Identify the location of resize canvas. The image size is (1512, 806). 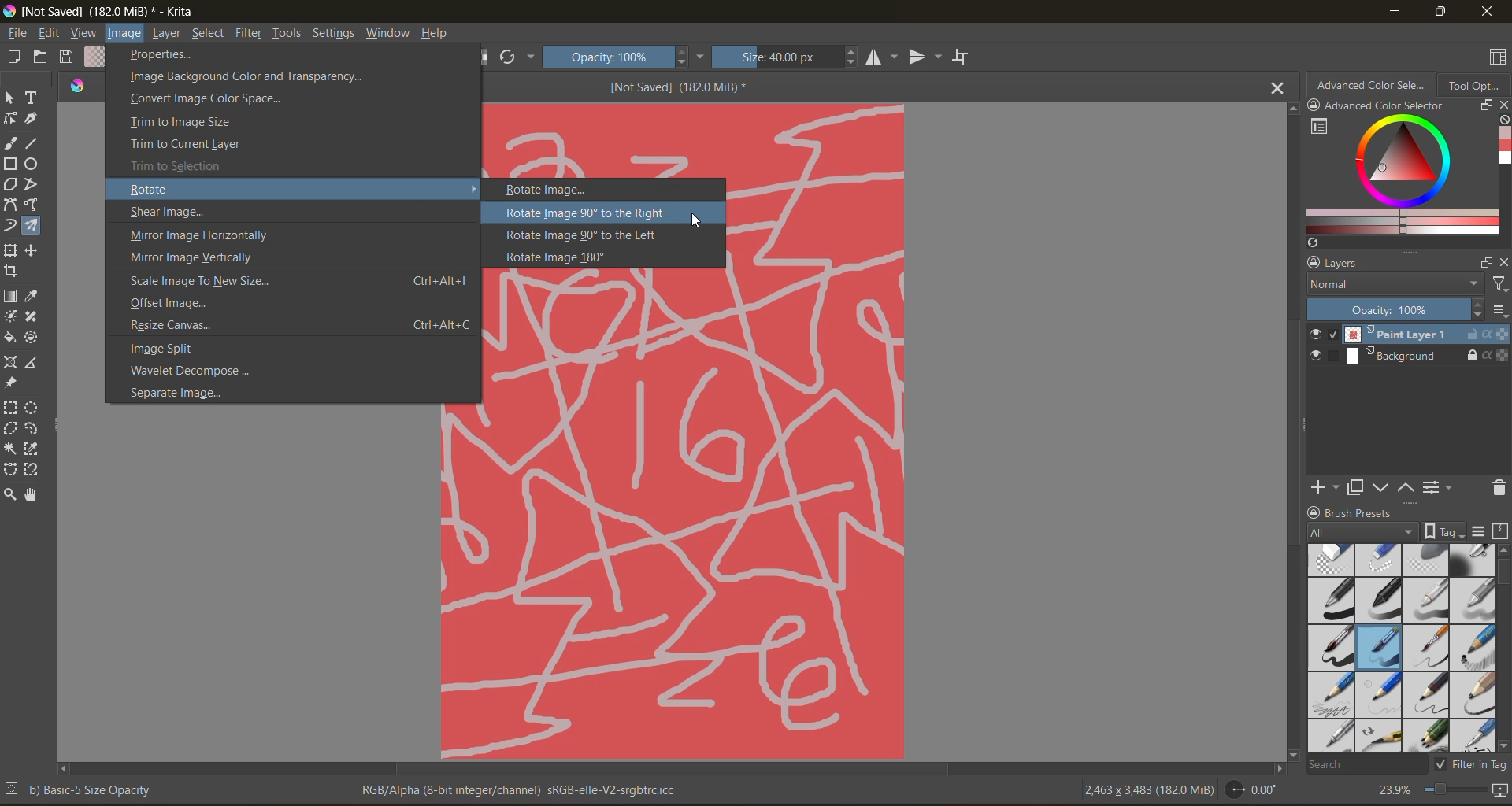
(300, 326).